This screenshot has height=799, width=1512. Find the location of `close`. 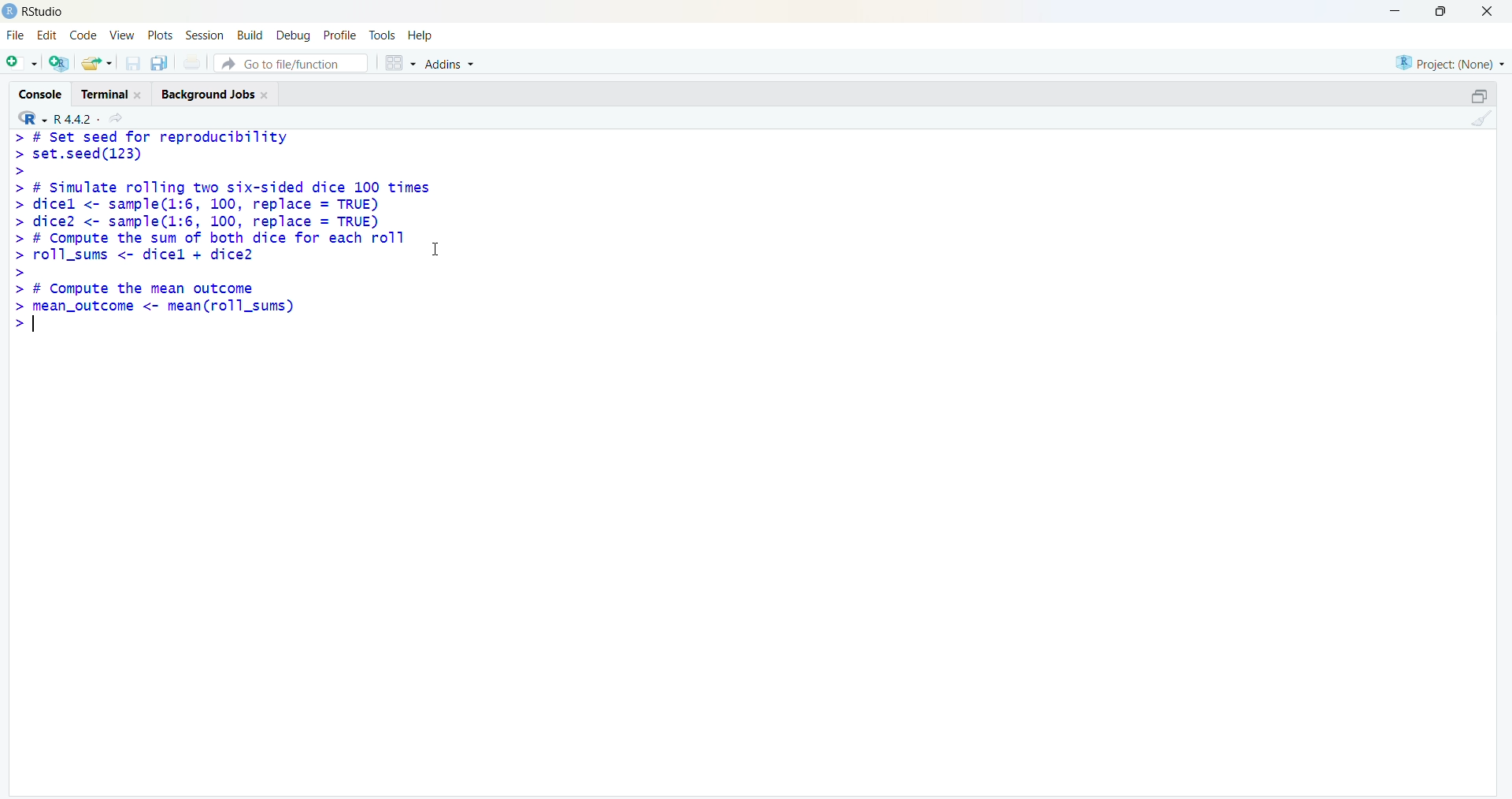

close is located at coordinates (266, 95).